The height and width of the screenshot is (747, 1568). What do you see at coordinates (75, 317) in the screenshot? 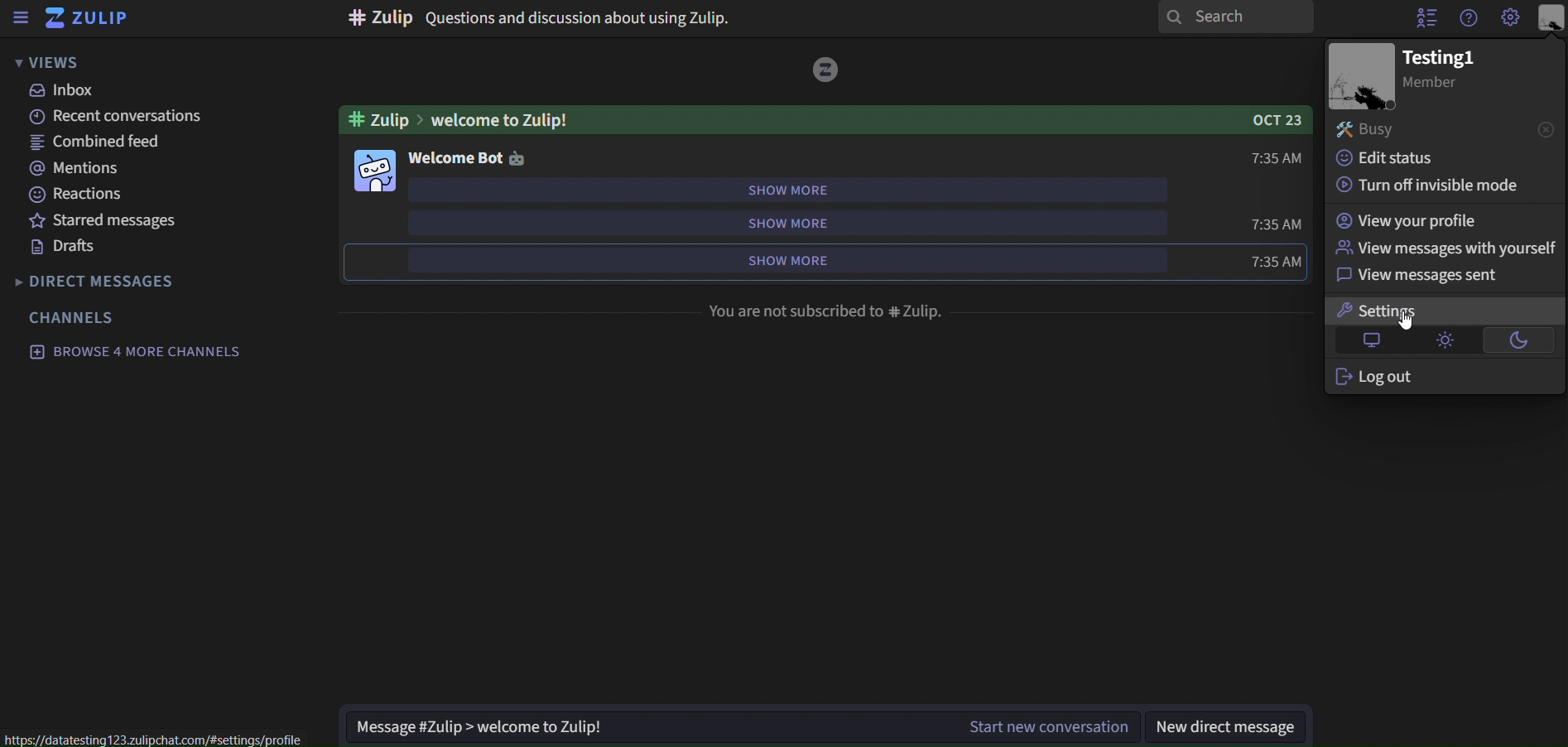
I see `channels` at bounding box center [75, 317].